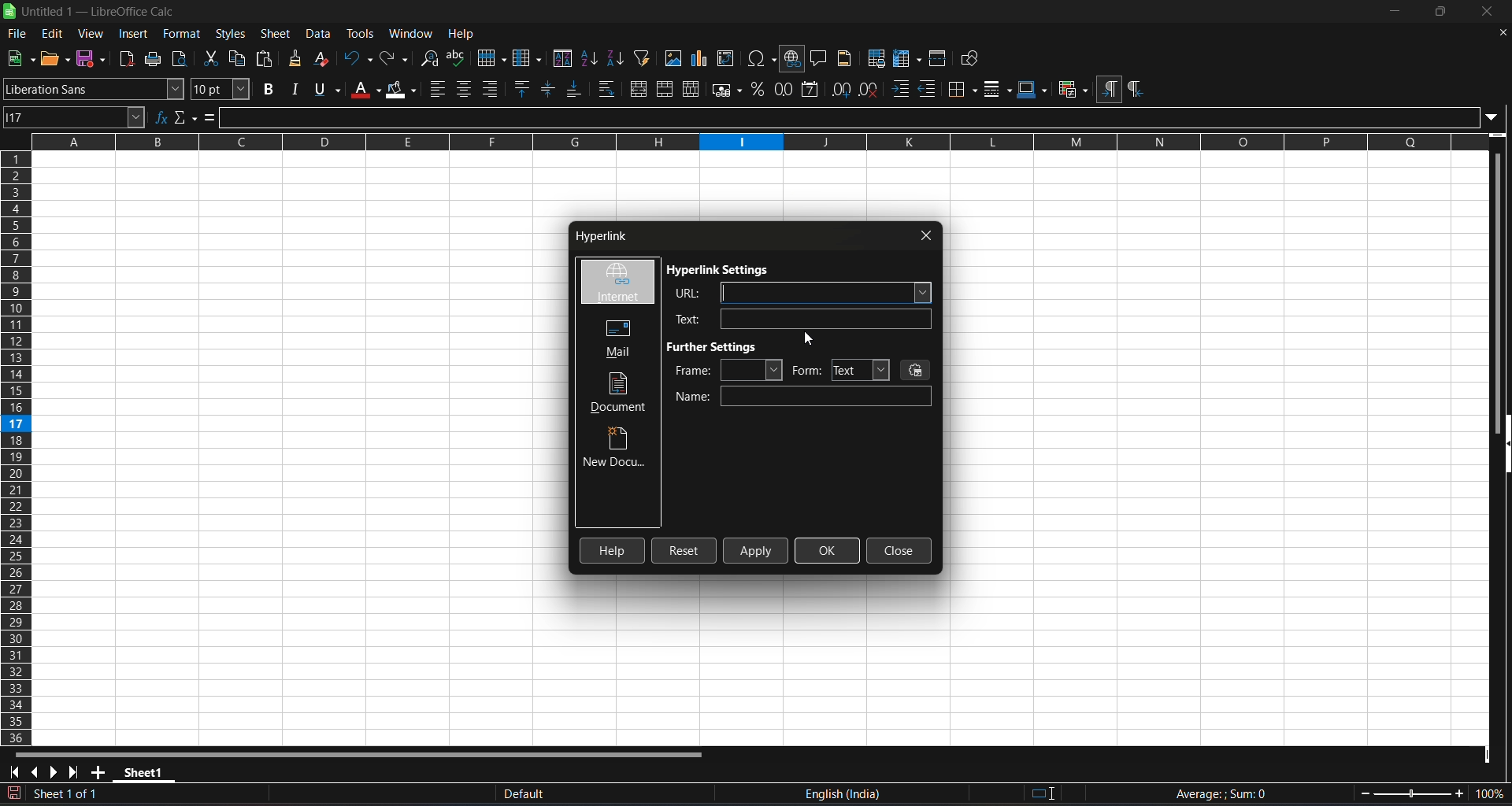  I want to click on italic, so click(295, 88).